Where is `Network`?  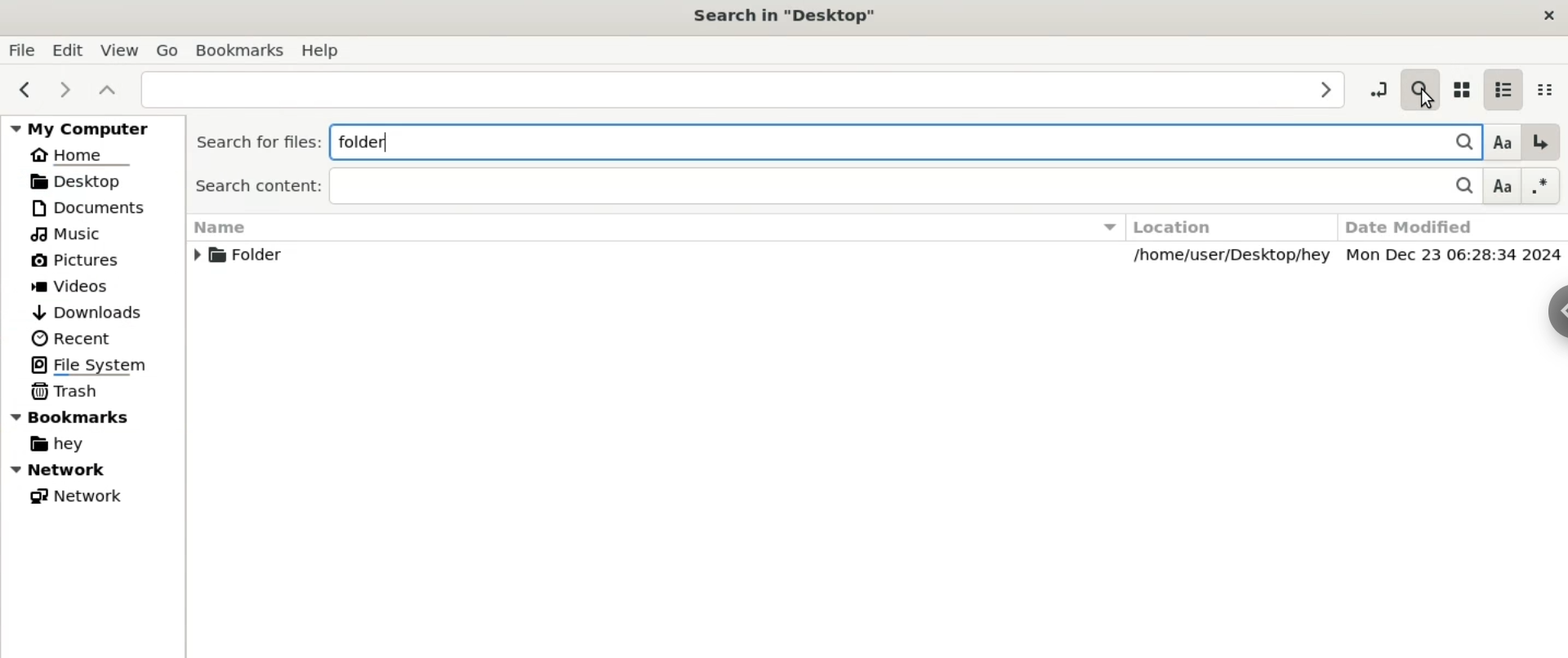
Network is located at coordinates (93, 469).